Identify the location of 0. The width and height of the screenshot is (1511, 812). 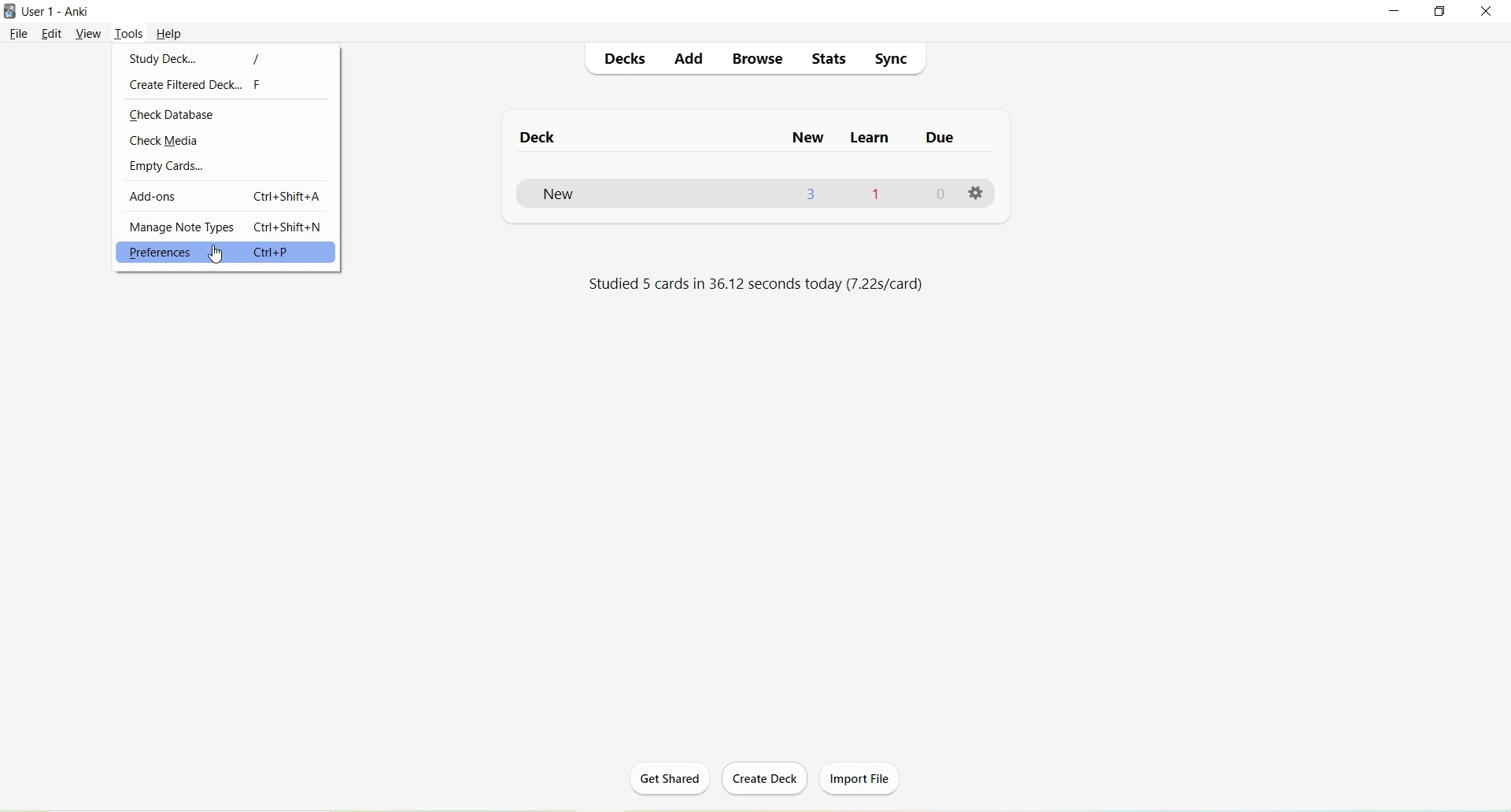
(944, 194).